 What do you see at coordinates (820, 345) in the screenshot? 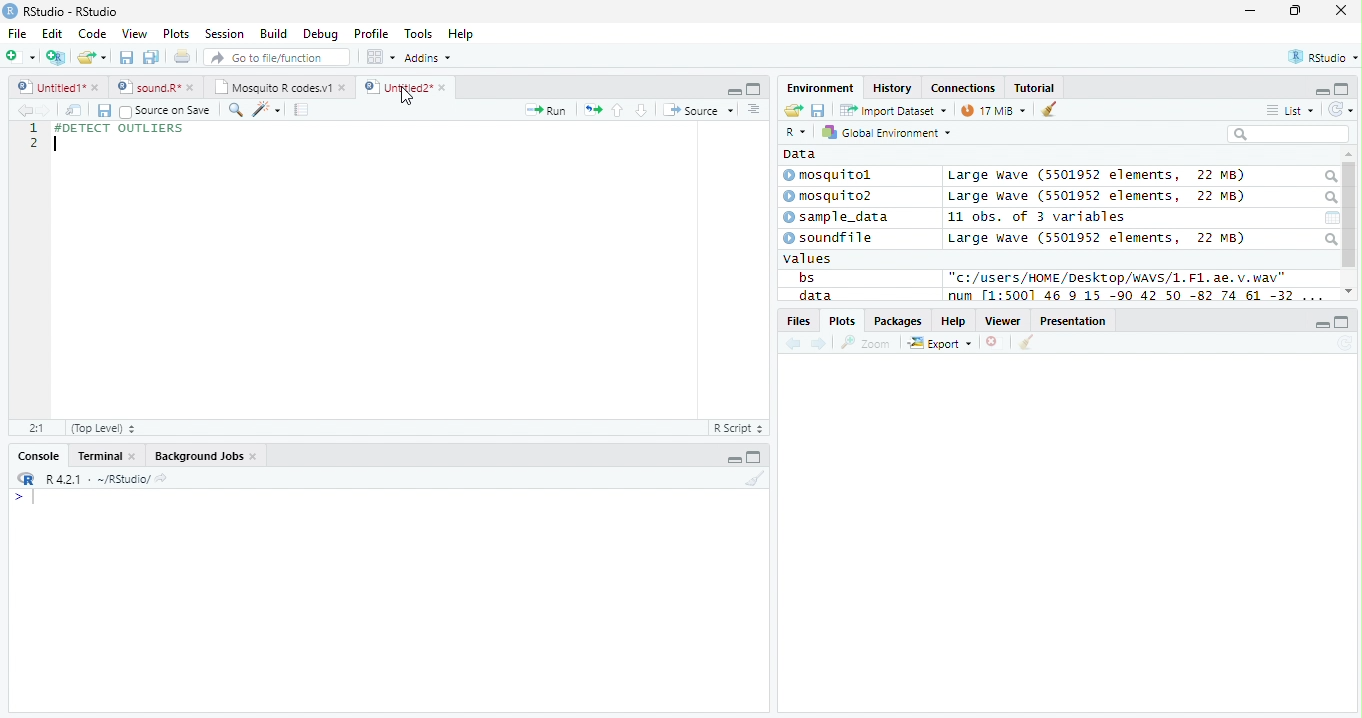
I see `go forward` at bounding box center [820, 345].